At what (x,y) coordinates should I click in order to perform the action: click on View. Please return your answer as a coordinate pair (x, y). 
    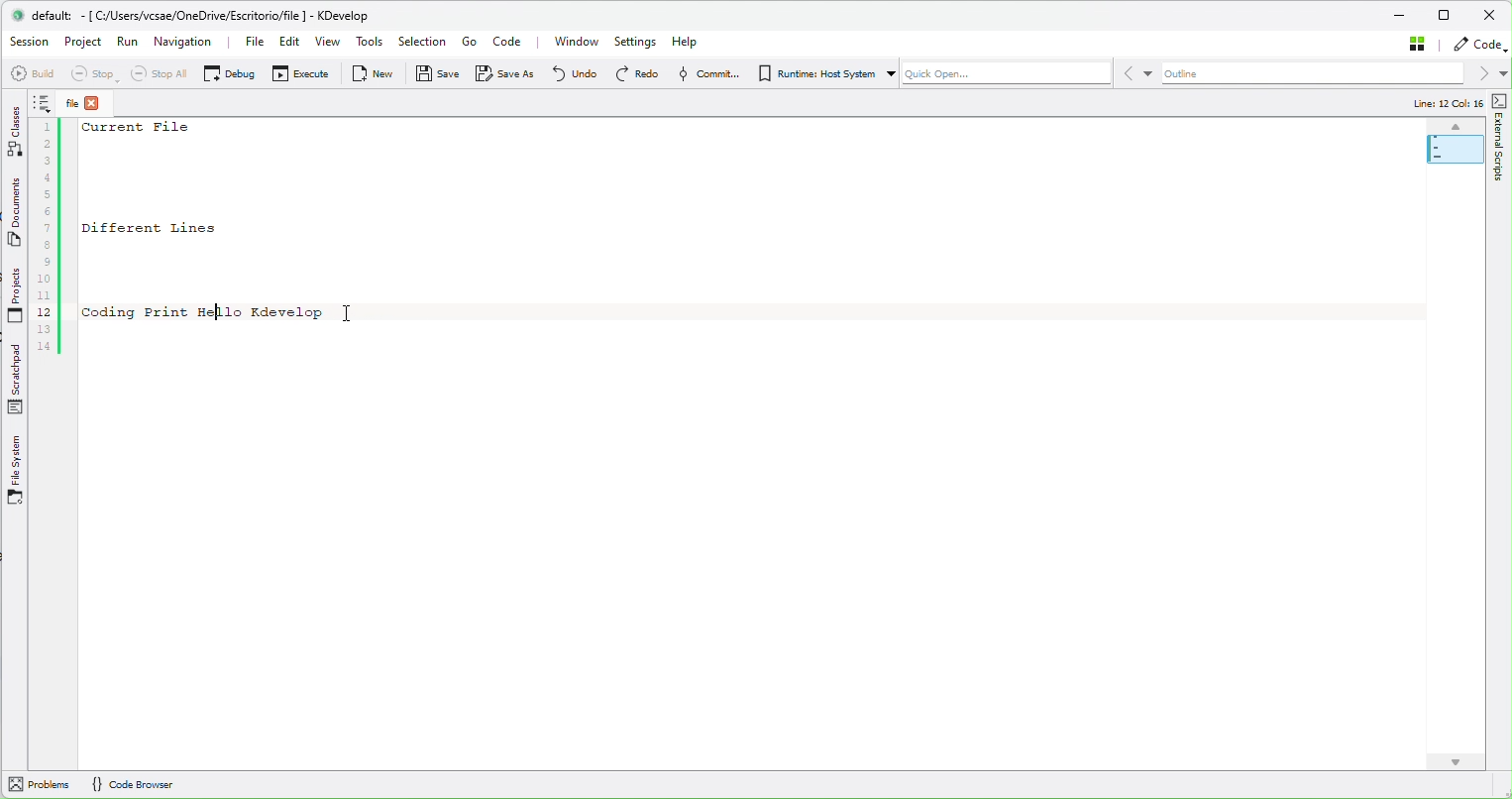
    Looking at the image, I should click on (328, 42).